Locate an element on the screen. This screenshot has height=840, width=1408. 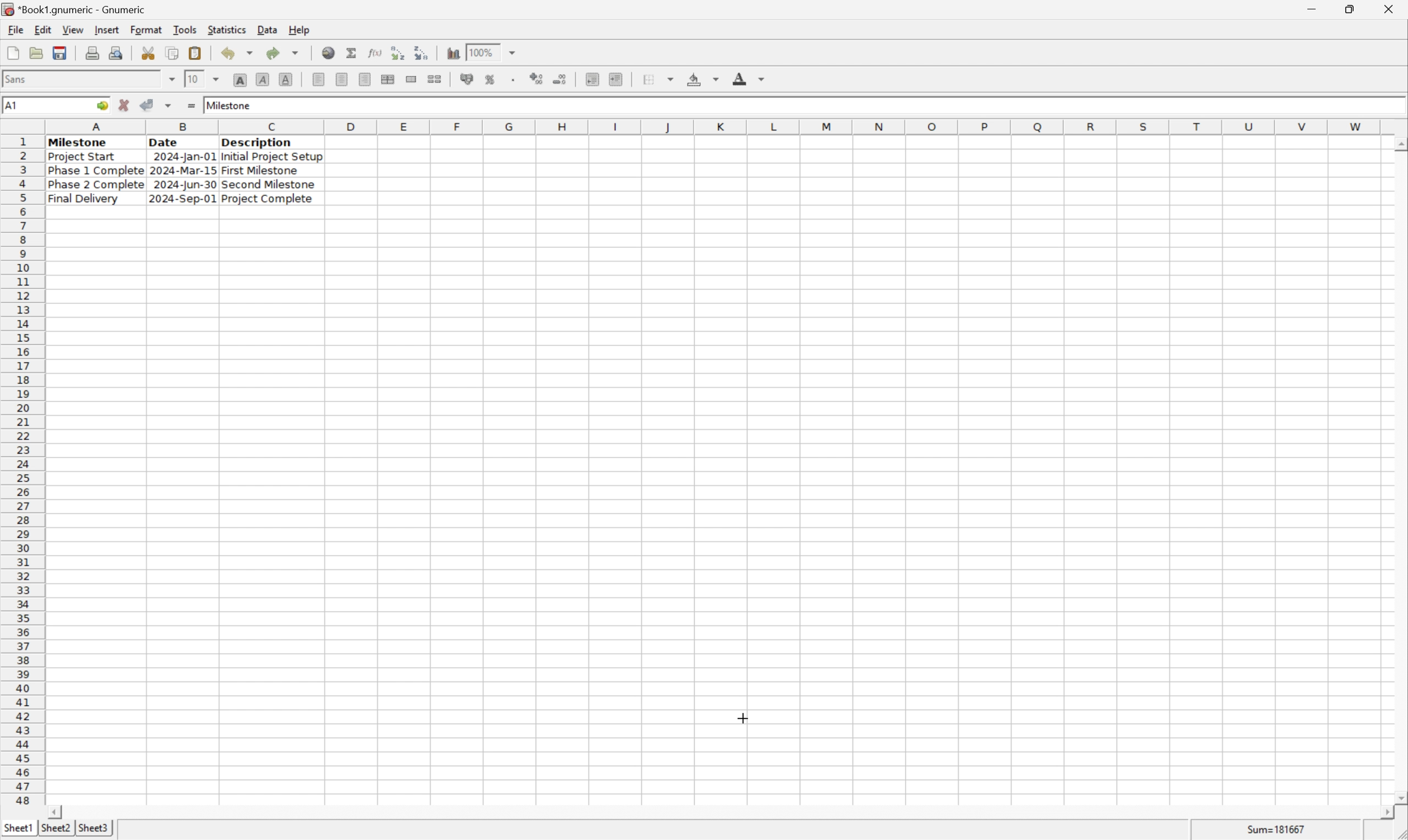
merge a range of cells is located at coordinates (412, 79).